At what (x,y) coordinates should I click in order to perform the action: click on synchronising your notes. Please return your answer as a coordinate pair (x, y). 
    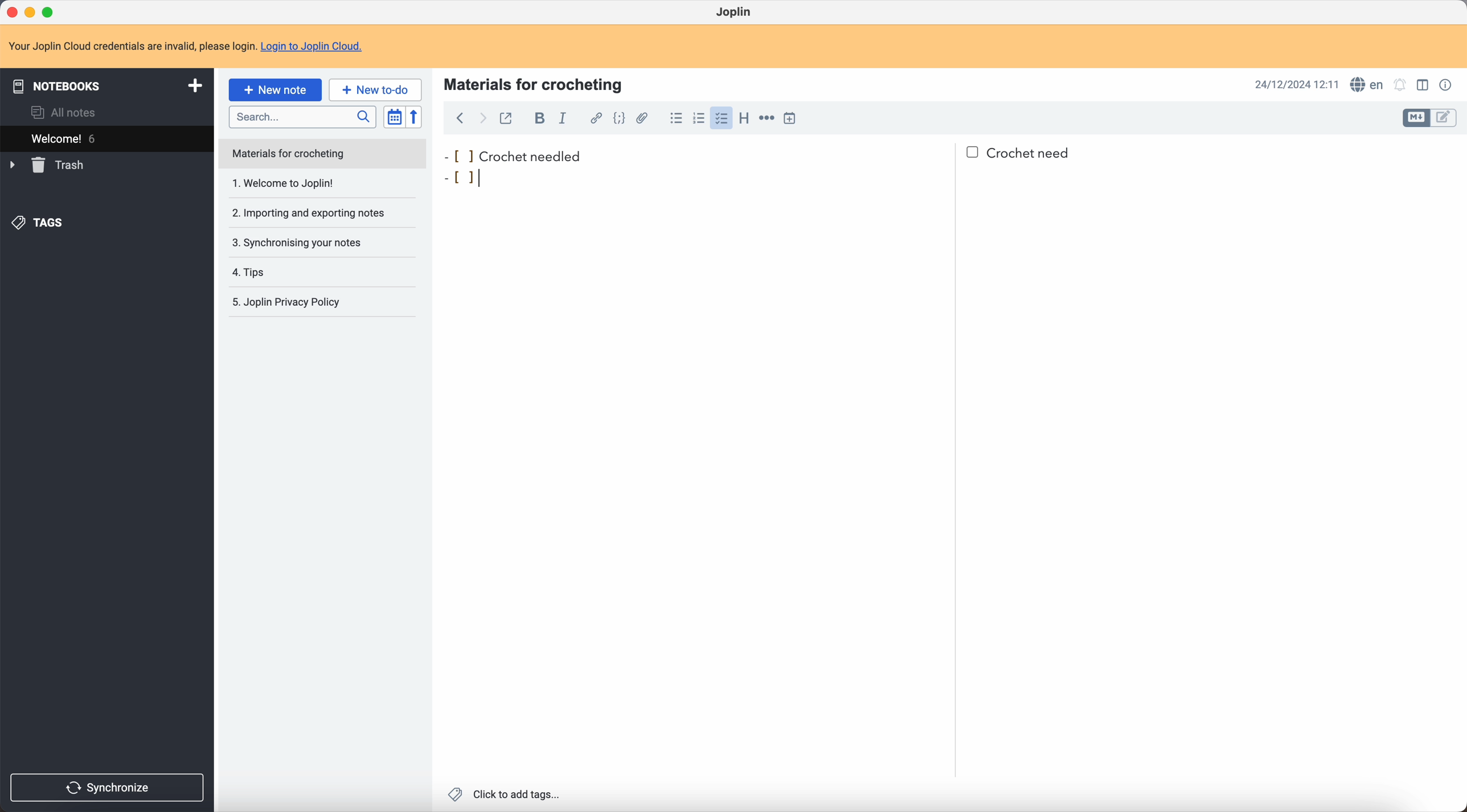
    Looking at the image, I should click on (315, 242).